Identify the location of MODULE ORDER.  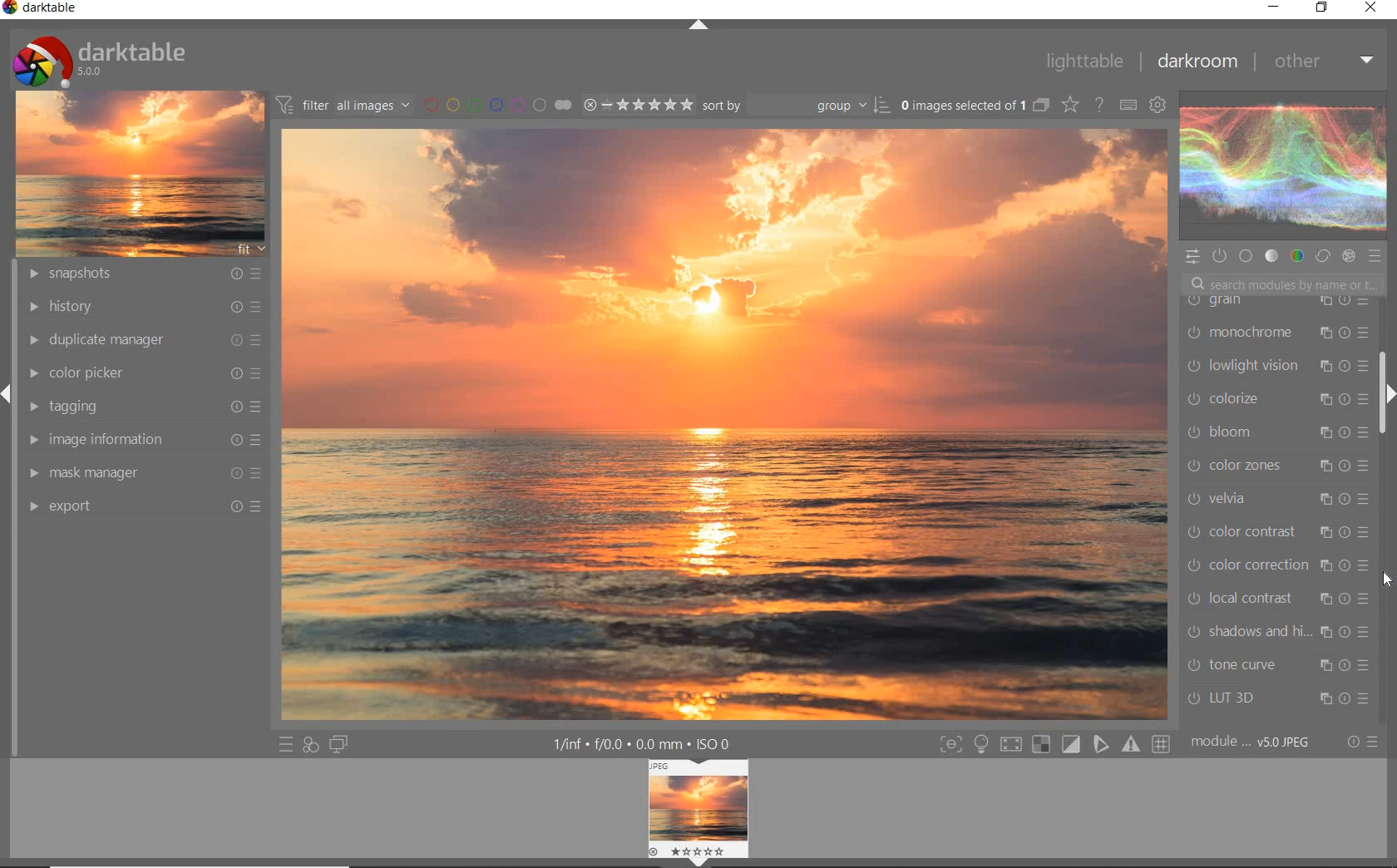
(1252, 742).